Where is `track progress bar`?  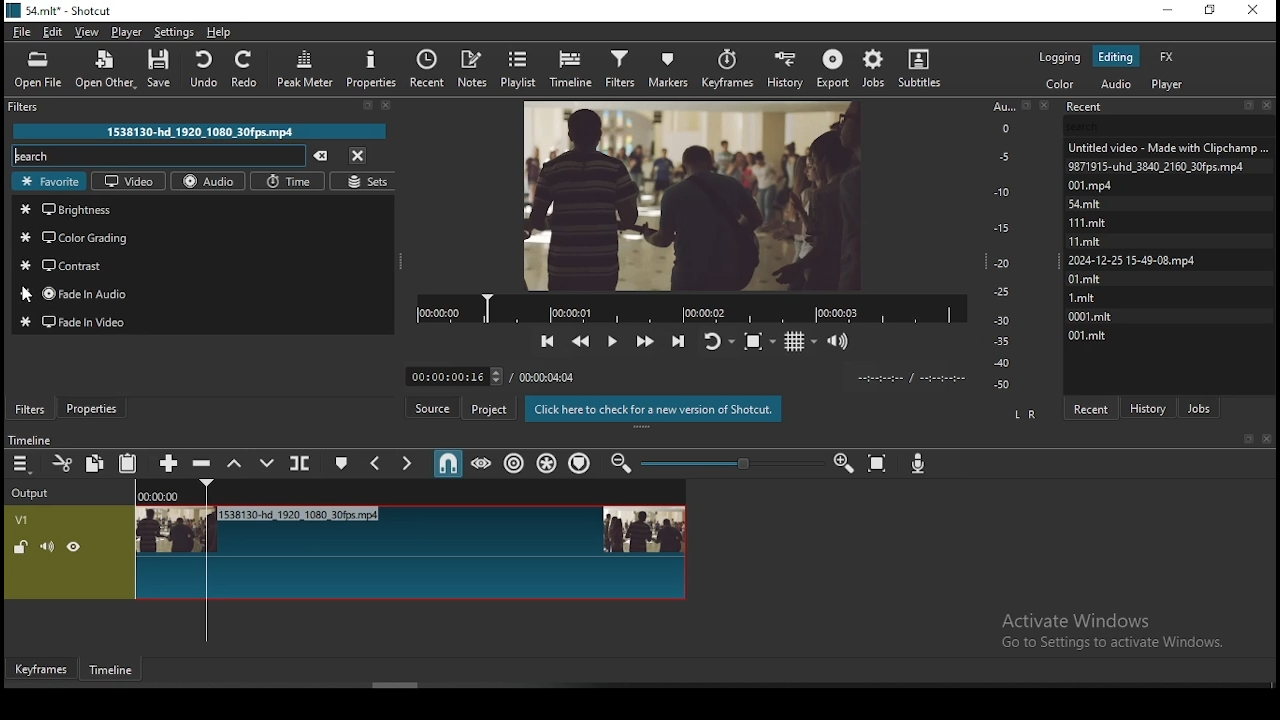
track progress bar is located at coordinates (693, 306).